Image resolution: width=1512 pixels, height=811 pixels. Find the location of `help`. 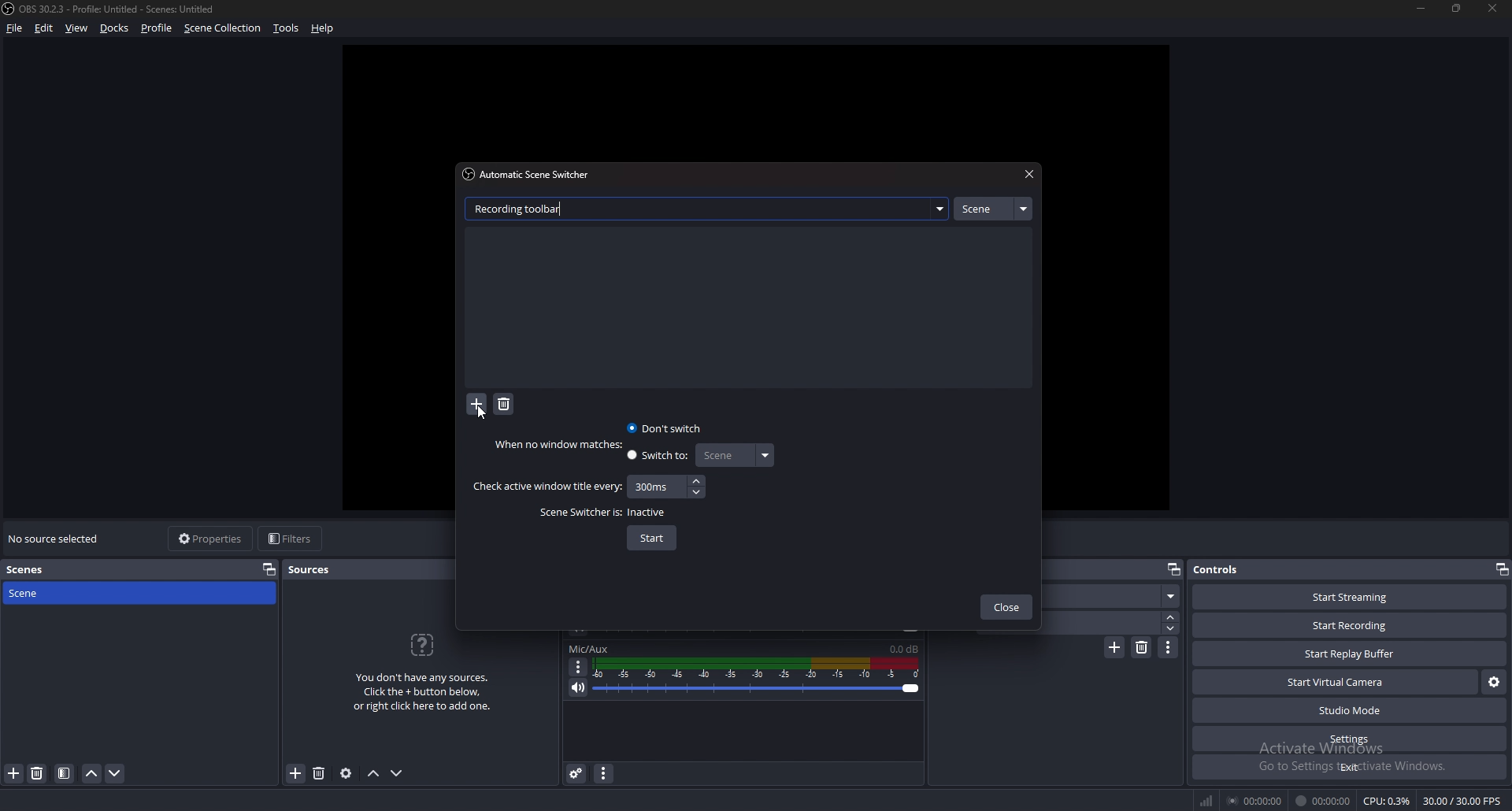

help is located at coordinates (323, 29).